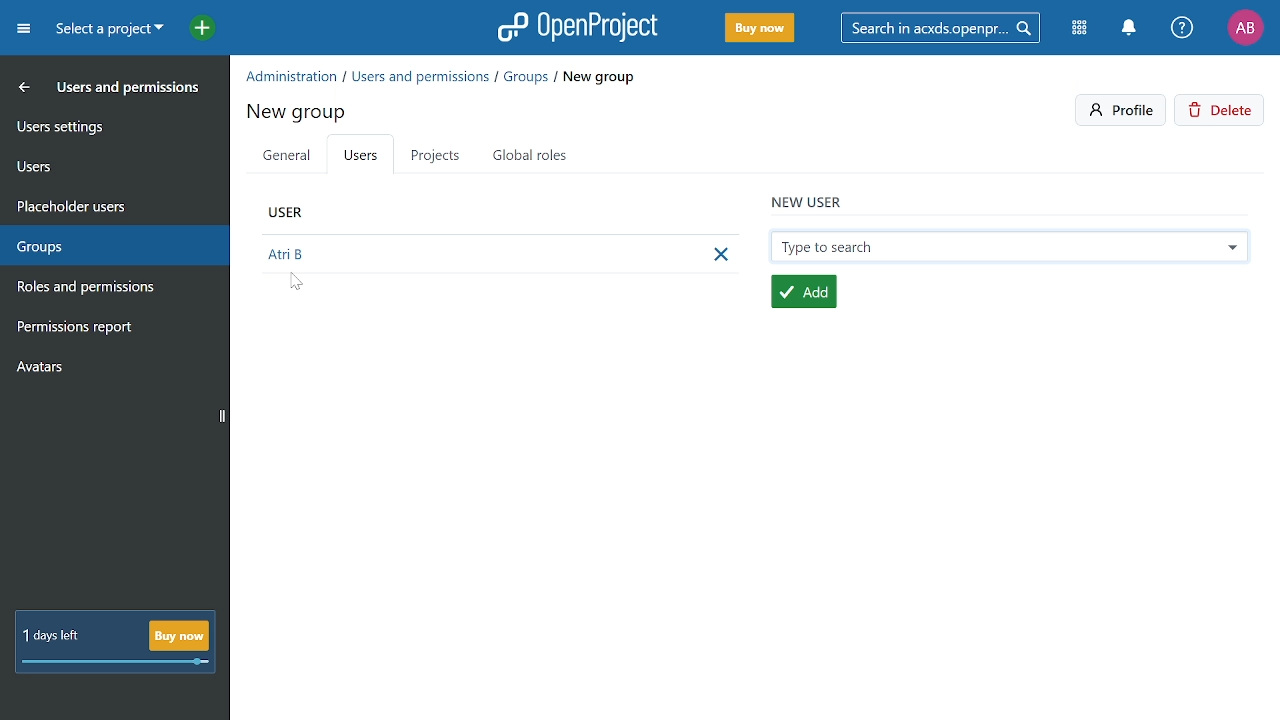 The height and width of the screenshot is (720, 1280). I want to click on other users, so click(1240, 248).